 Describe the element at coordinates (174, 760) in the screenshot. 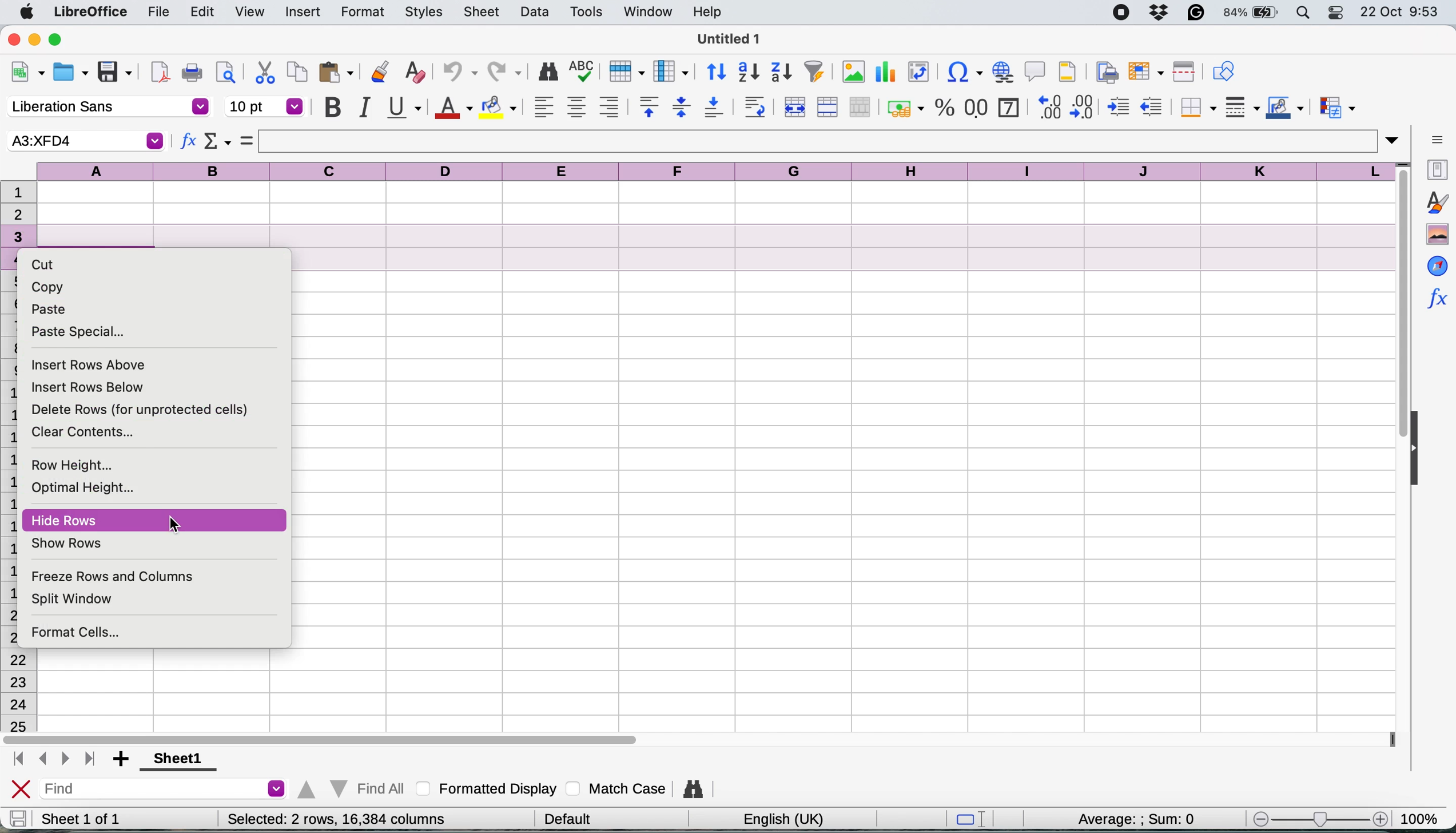

I see `sheet 1` at that location.